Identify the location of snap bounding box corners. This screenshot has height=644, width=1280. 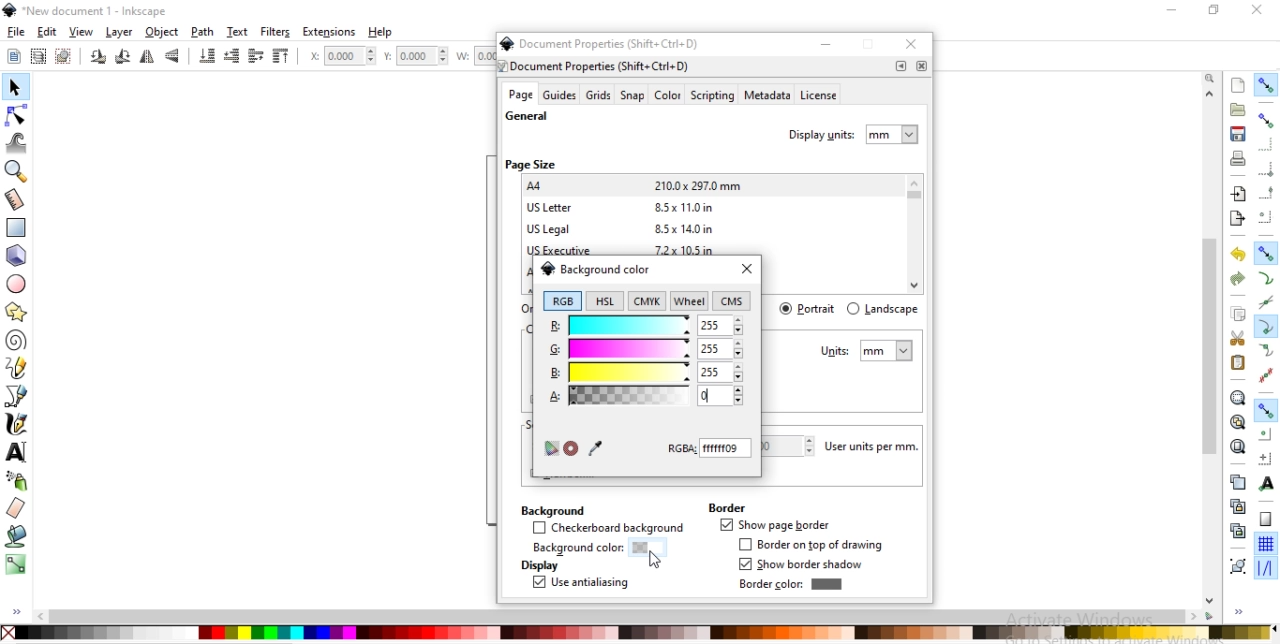
(1266, 169).